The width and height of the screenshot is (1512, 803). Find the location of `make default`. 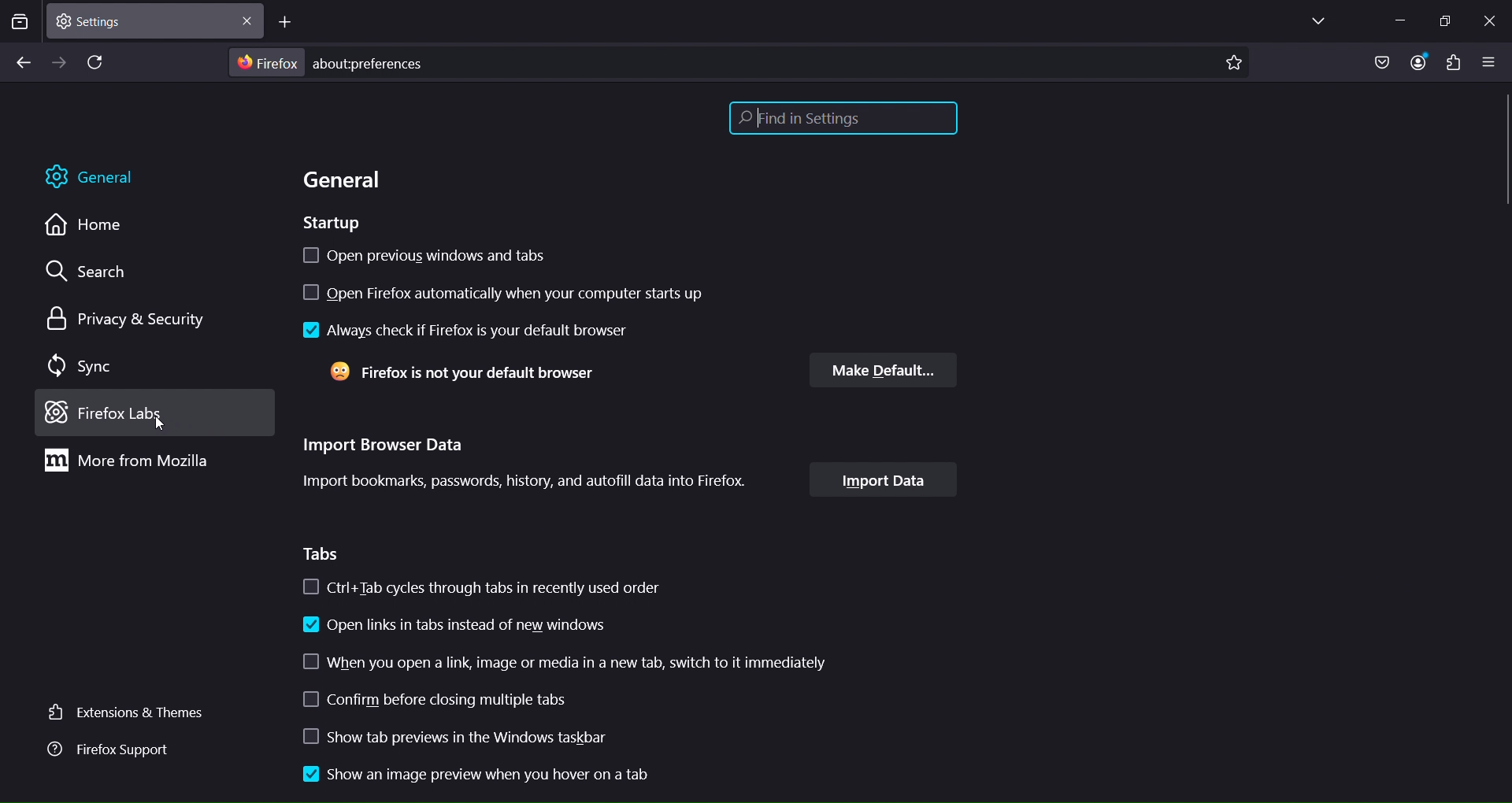

make default is located at coordinates (887, 371).